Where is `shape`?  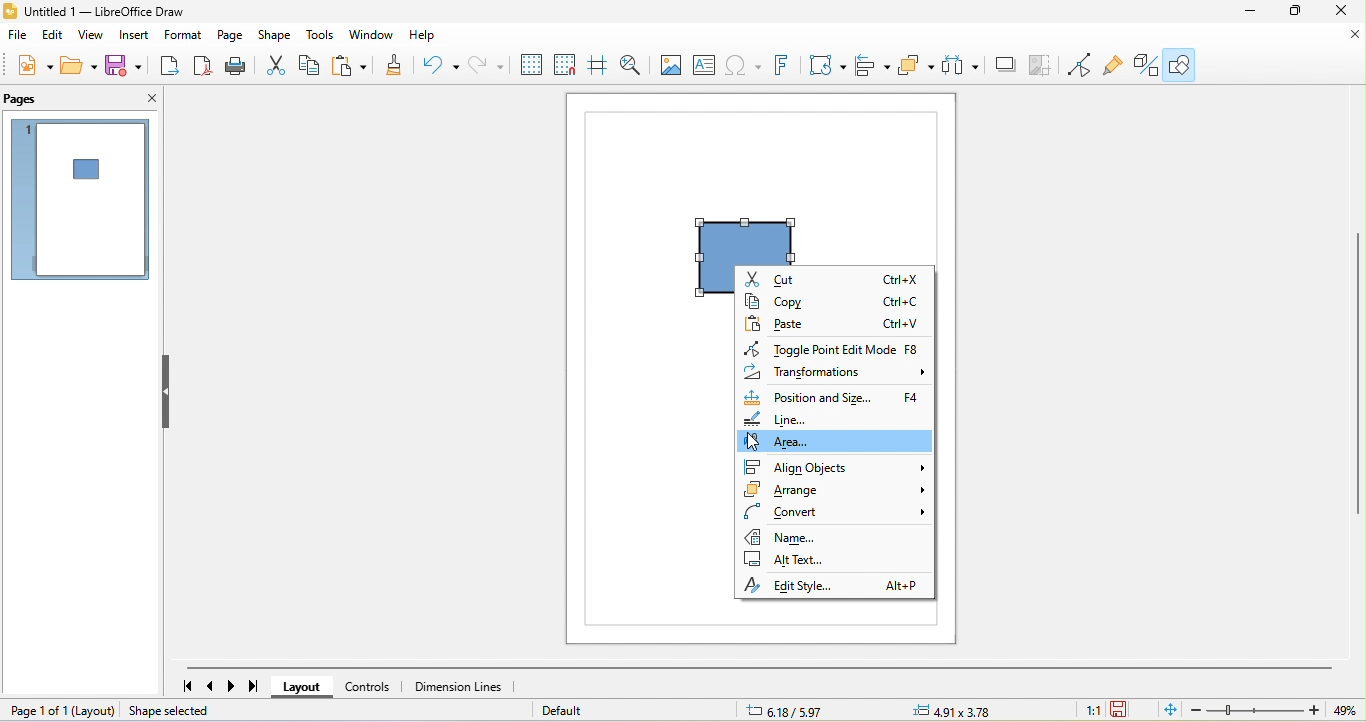 shape is located at coordinates (278, 37).